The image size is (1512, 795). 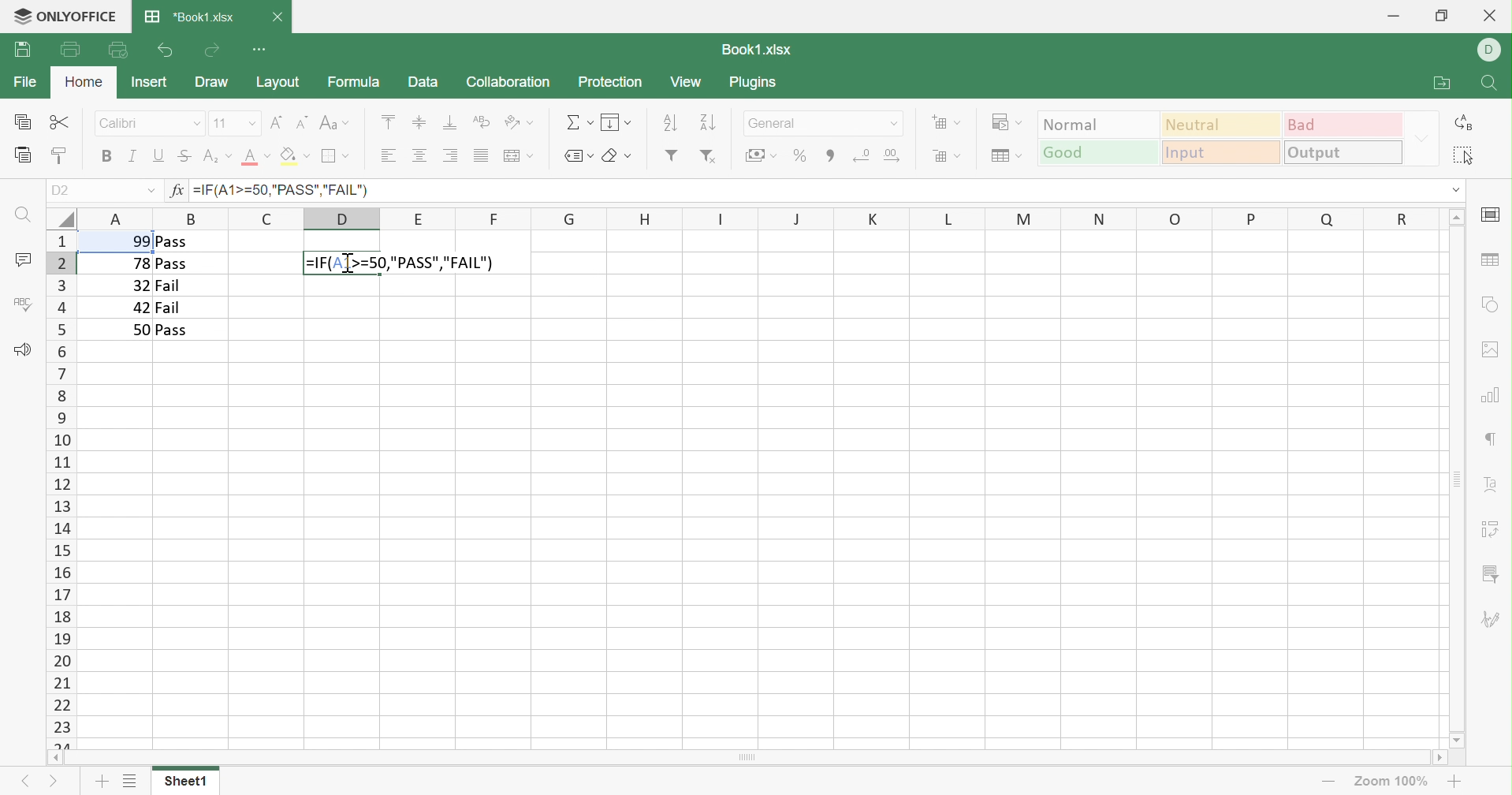 What do you see at coordinates (24, 121) in the screenshot?
I see `Copy` at bounding box center [24, 121].